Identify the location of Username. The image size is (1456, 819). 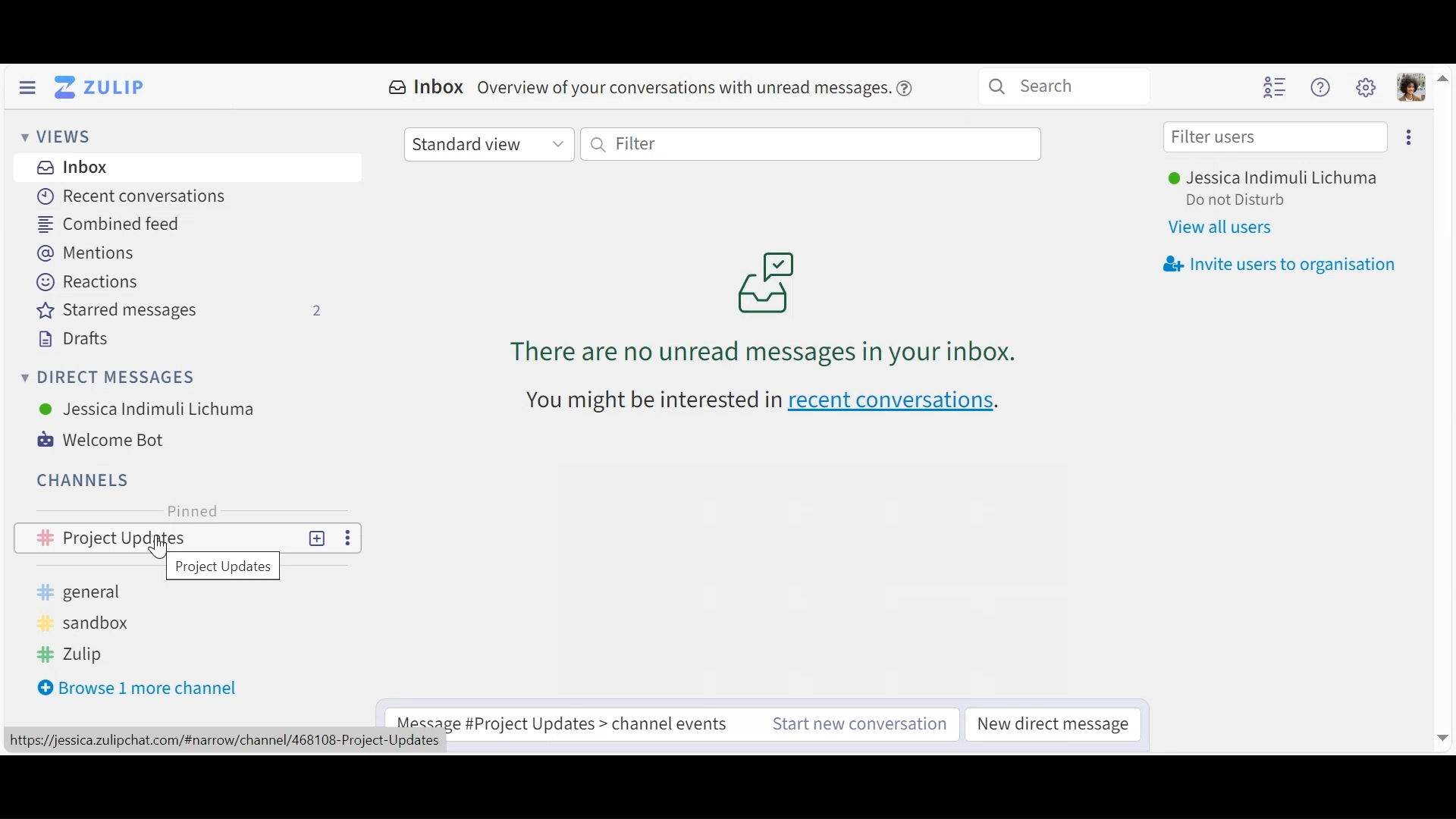
(1270, 180).